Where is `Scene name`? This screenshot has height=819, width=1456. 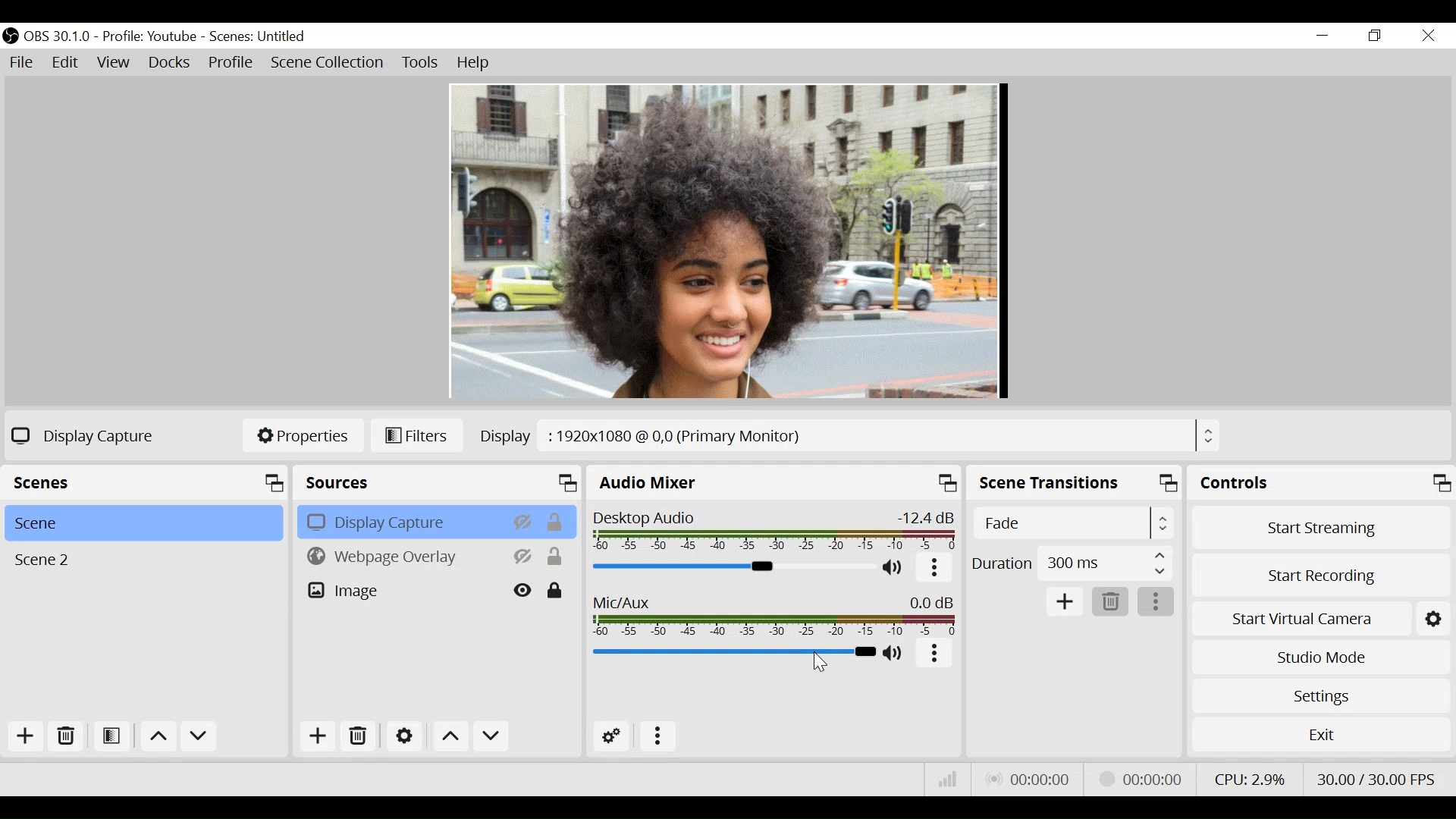 Scene name is located at coordinates (262, 37).